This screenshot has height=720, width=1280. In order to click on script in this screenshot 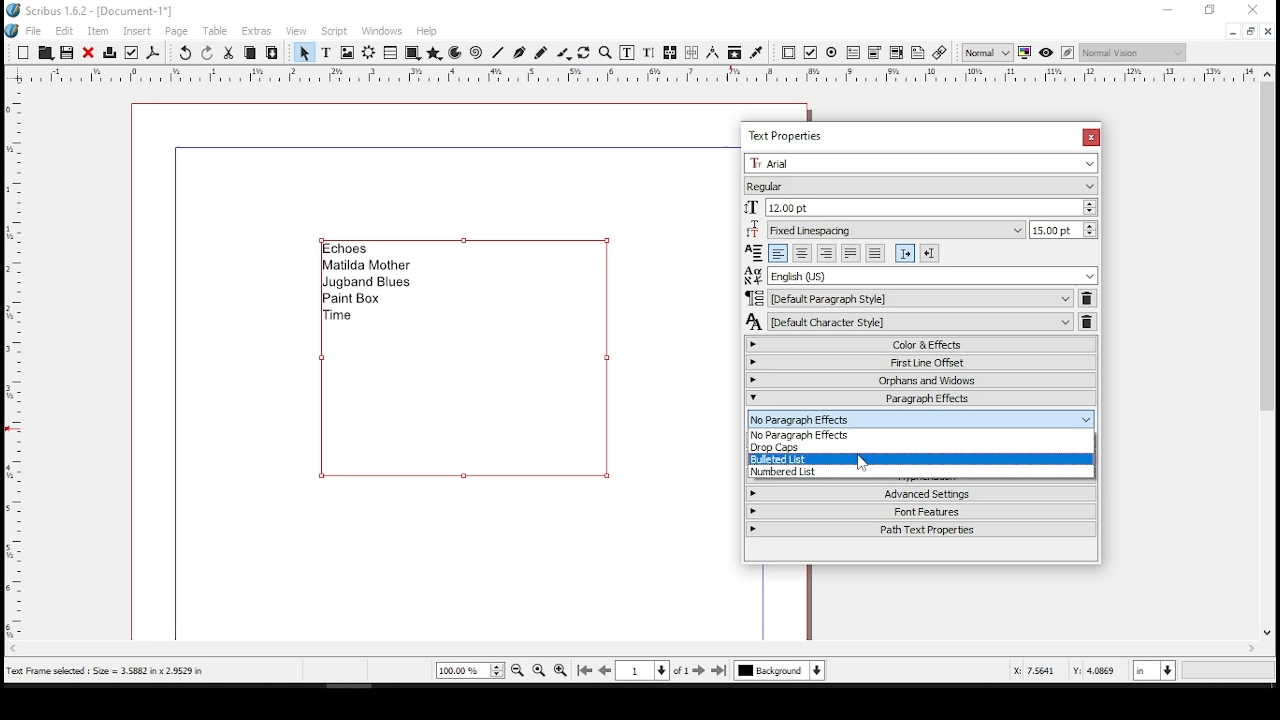, I will do `click(333, 33)`.